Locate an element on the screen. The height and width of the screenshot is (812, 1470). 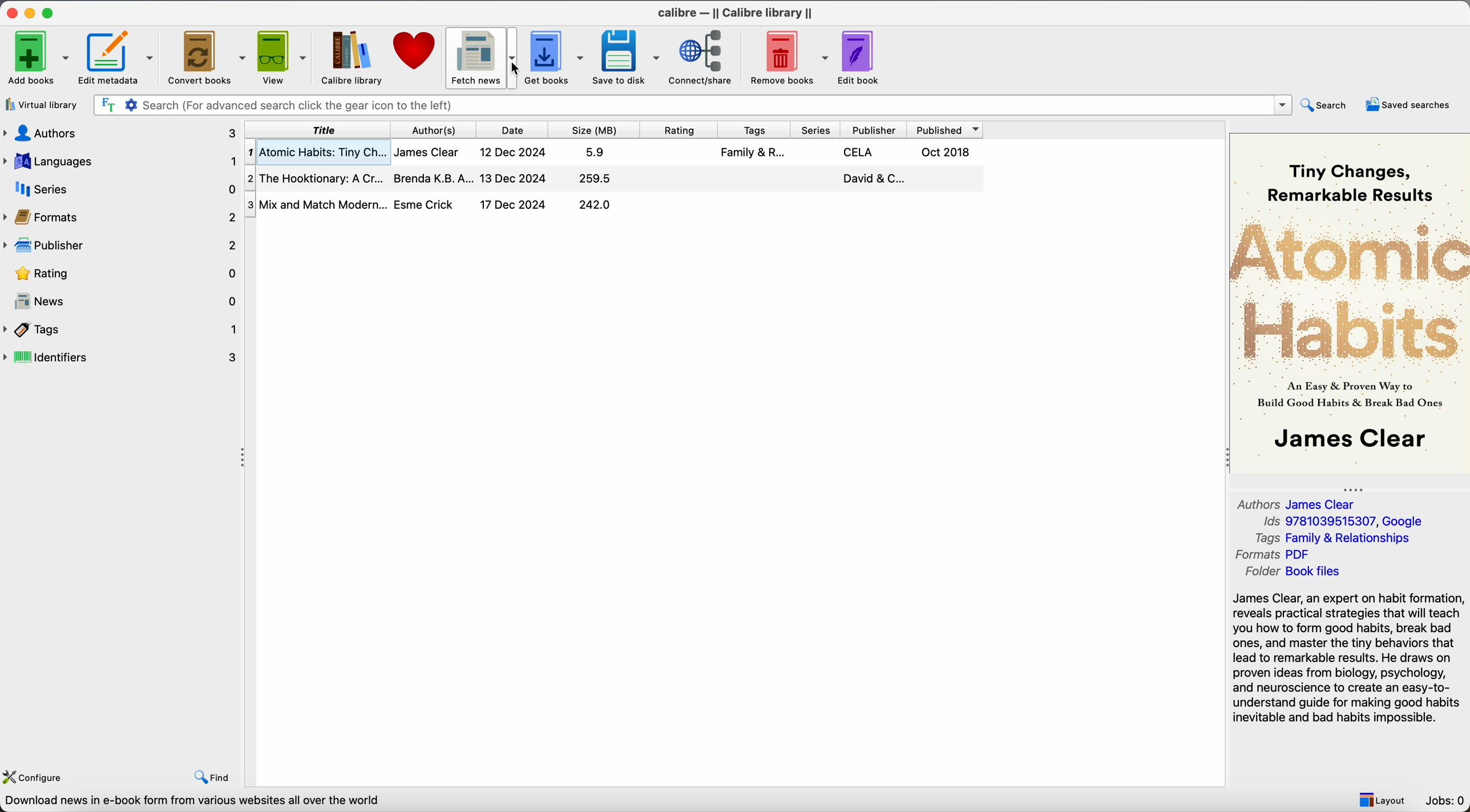
tags is located at coordinates (757, 130).